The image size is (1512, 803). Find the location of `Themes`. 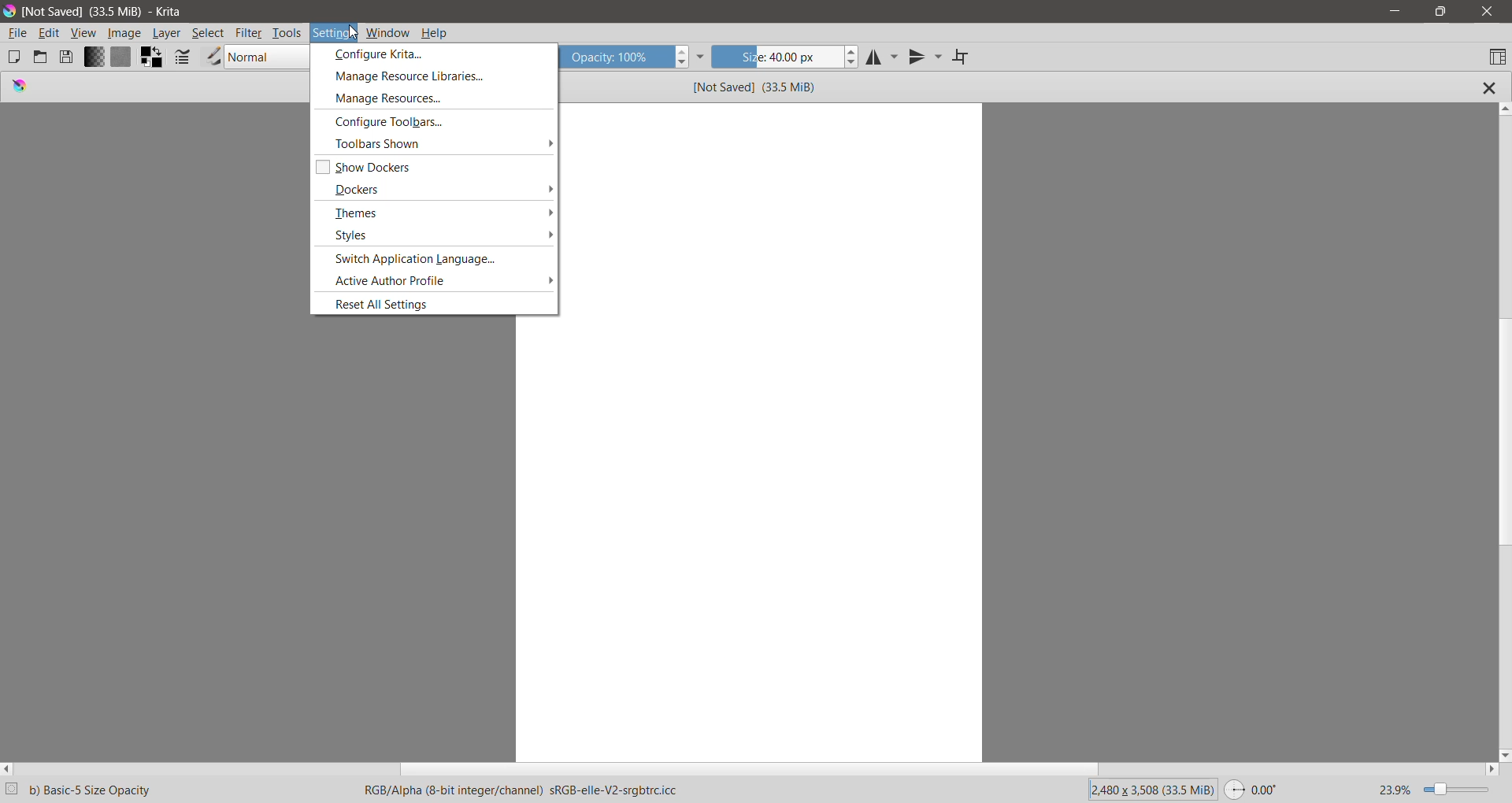

Themes is located at coordinates (441, 213).